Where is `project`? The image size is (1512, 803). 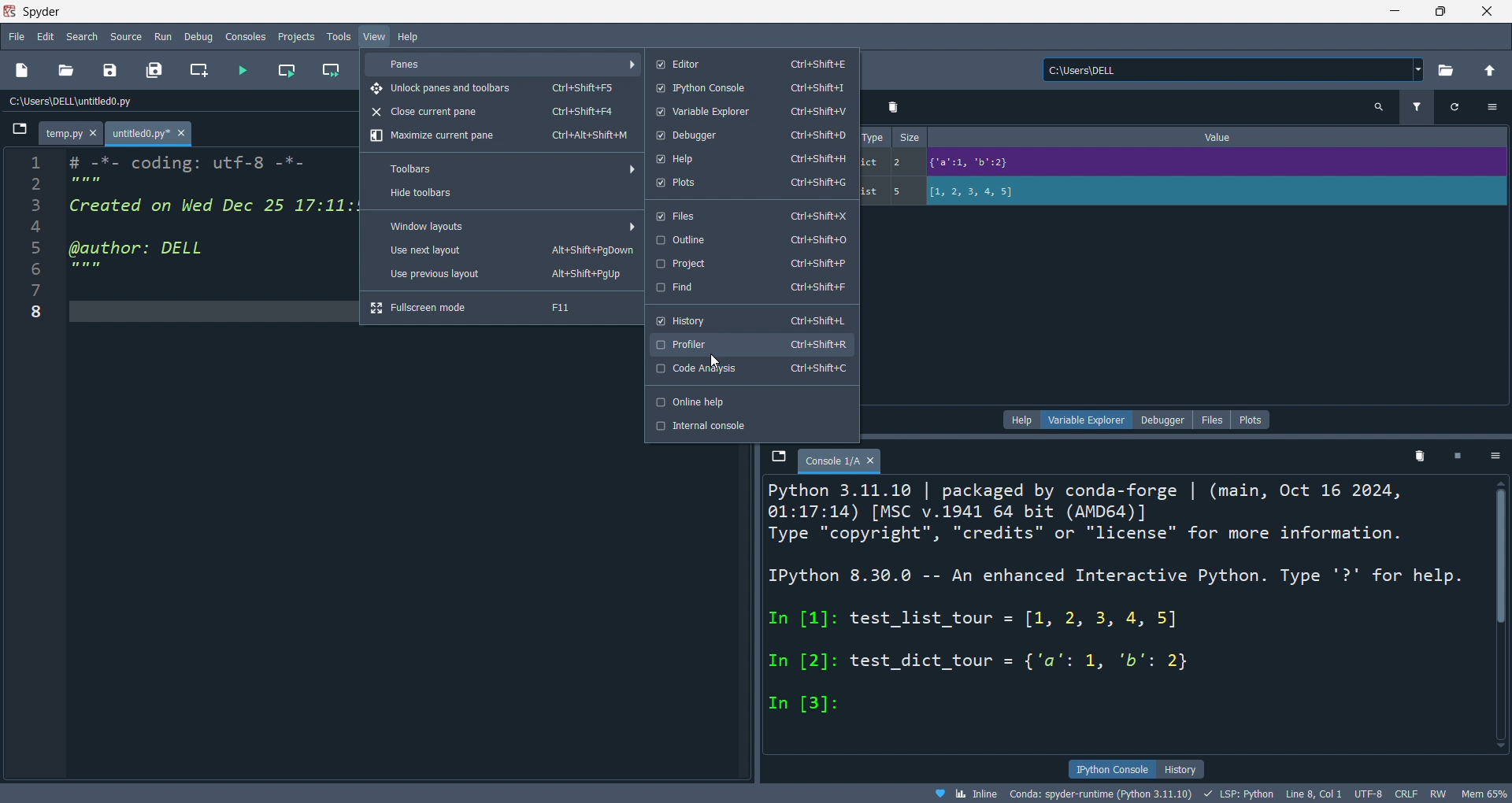
project is located at coordinates (754, 262).